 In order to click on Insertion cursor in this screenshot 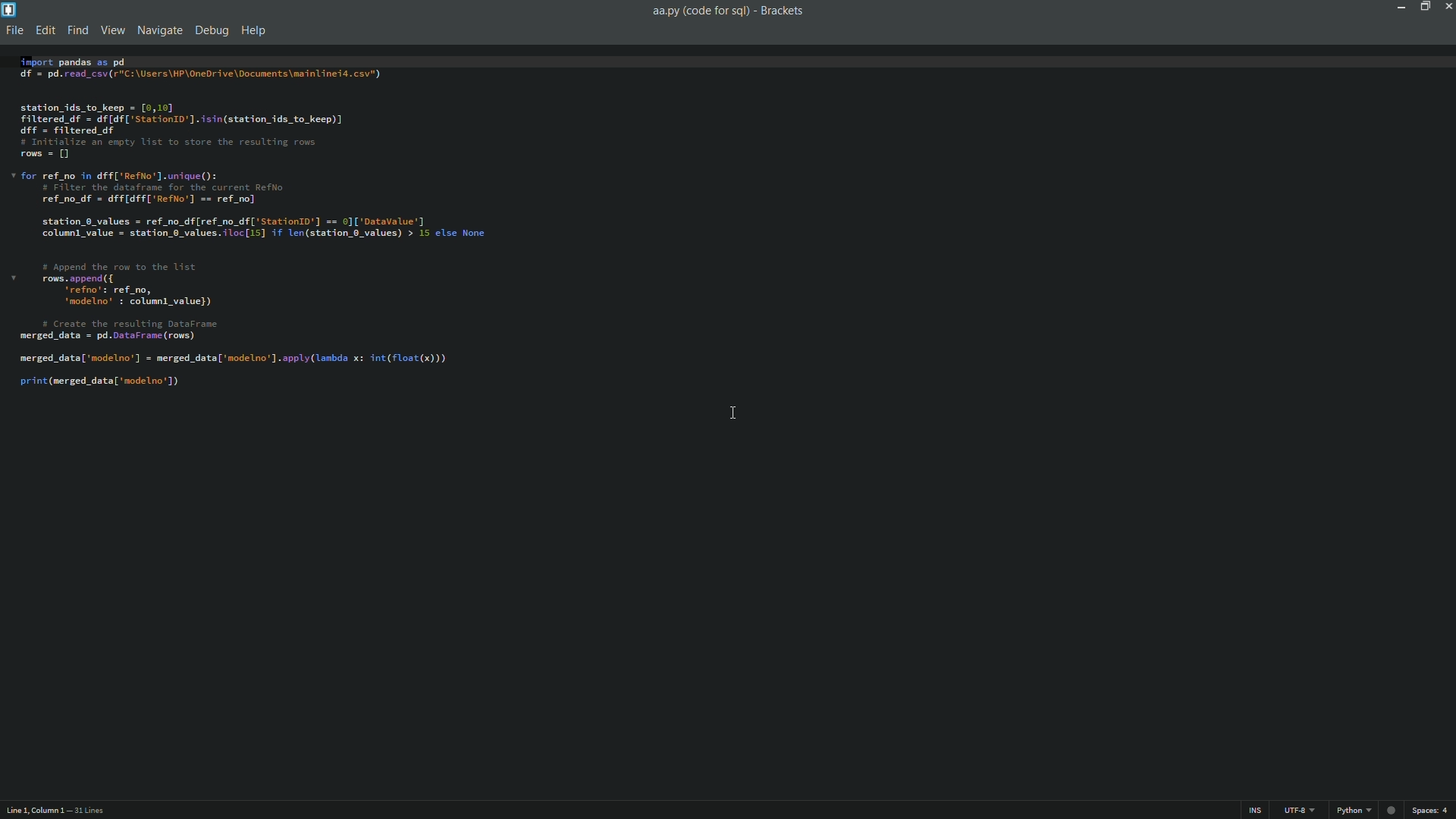, I will do `click(734, 416)`.